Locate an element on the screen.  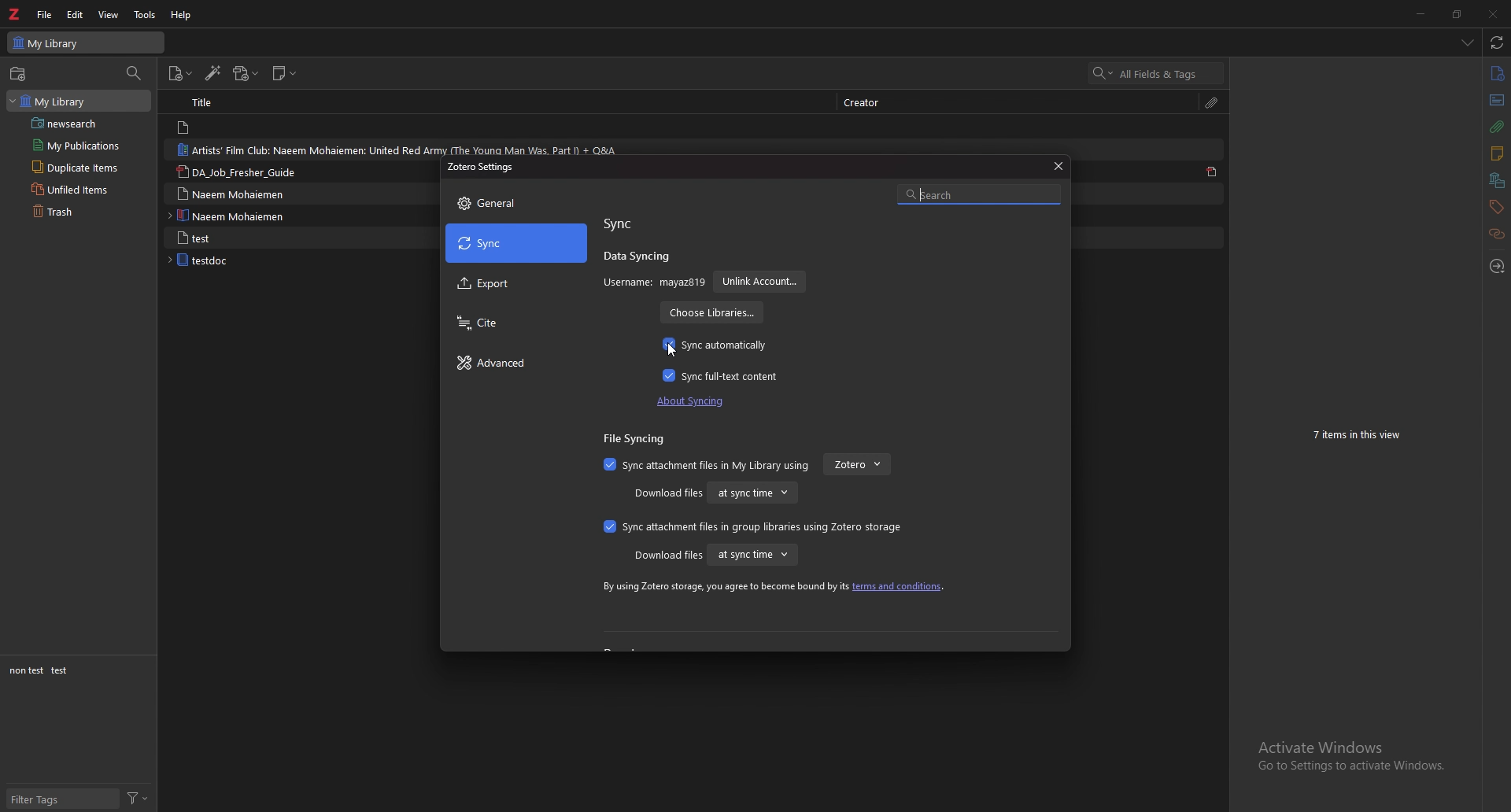
sync automatically is located at coordinates (716, 345).